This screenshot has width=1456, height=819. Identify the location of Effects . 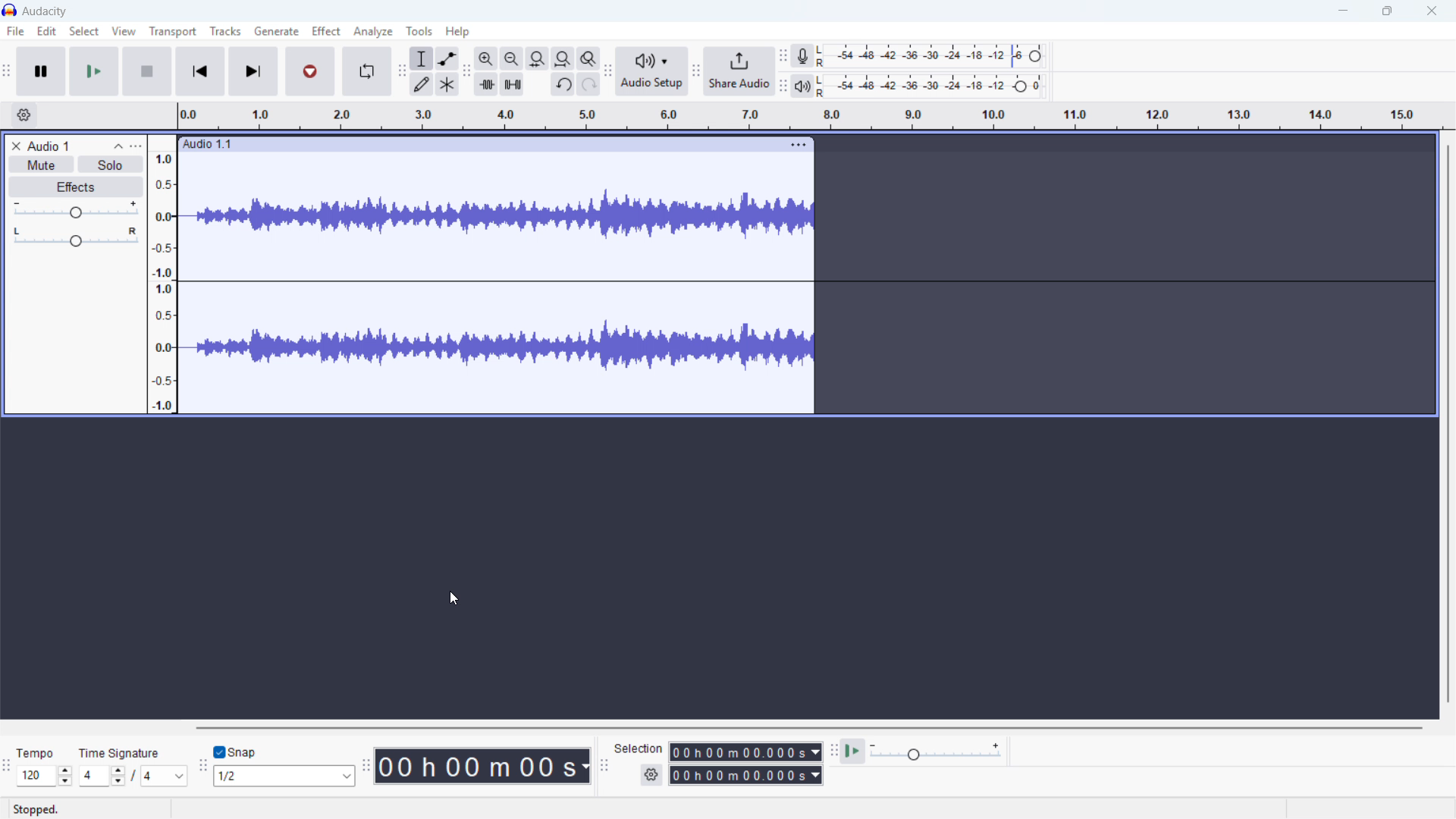
(74, 187).